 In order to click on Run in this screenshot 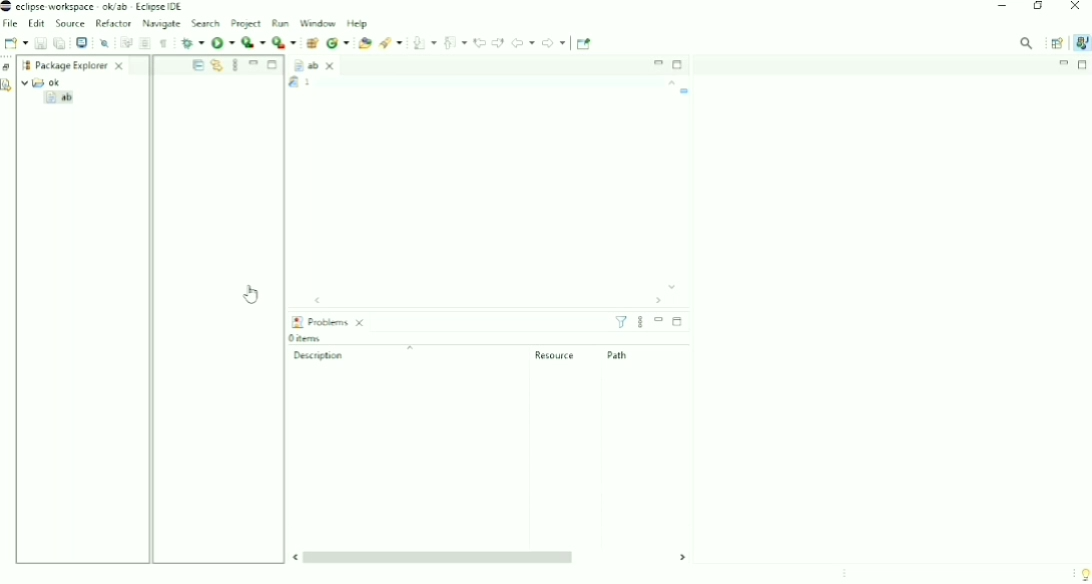, I will do `click(223, 42)`.